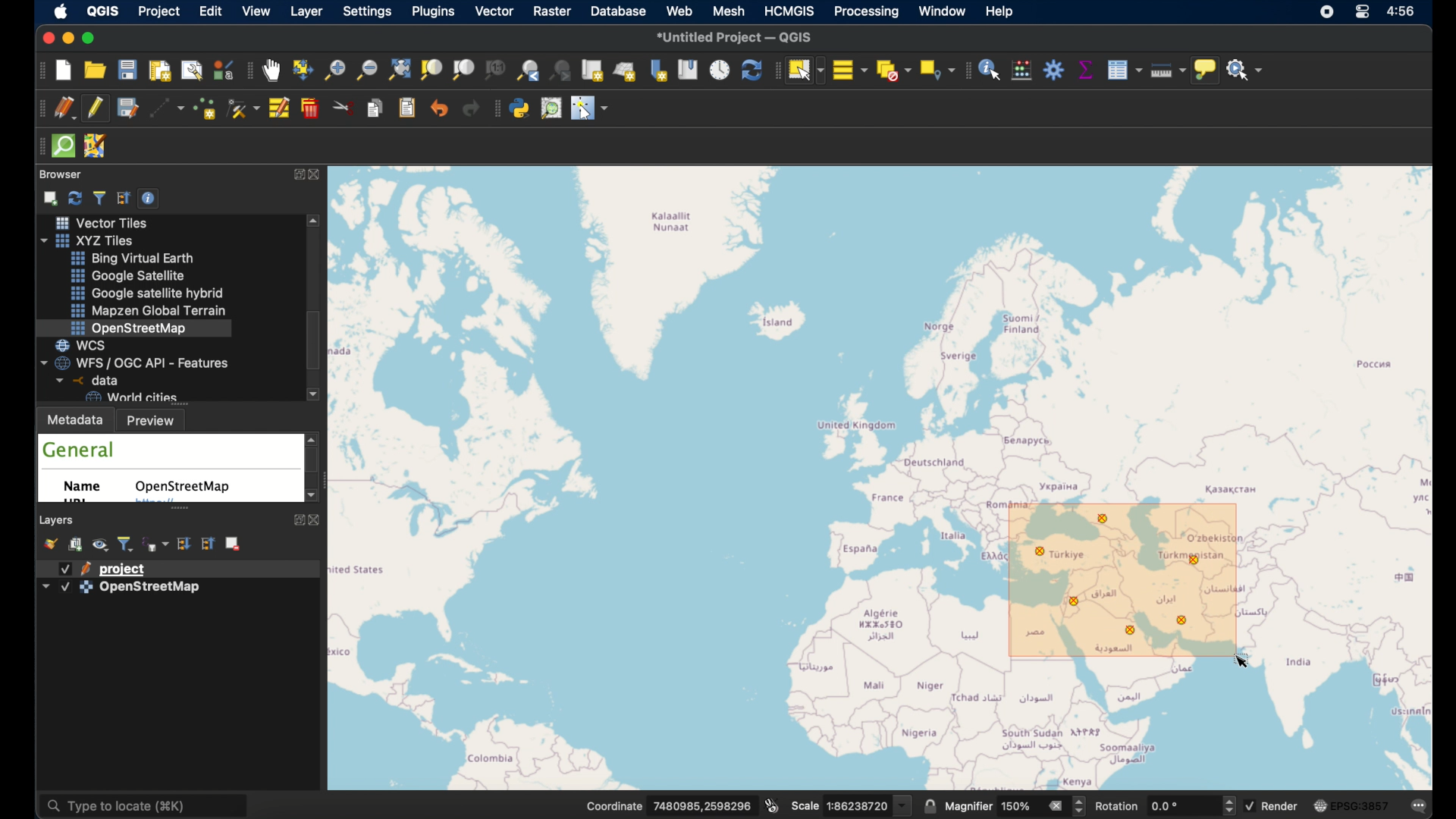 Image resolution: width=1456 pixels, height=819 pixels. What do you see at coordinates (867, 12) in the screenshot?
I see `processing` at bounding box center [867, 12].